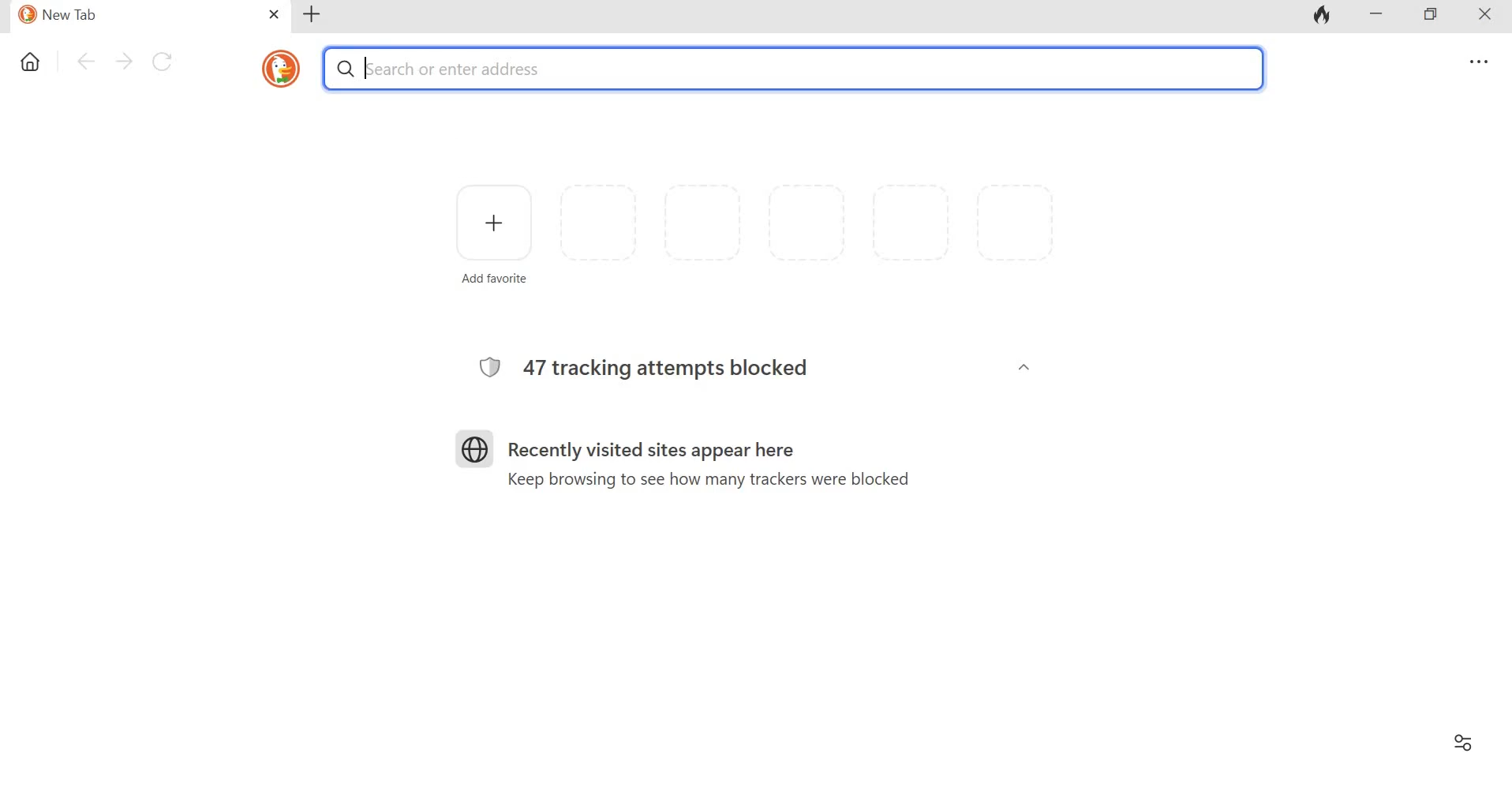 The image size is (1512, 791). Describe the element at coordinates (1465, 742) in the screenshot. I see `Filter settings` at that location.